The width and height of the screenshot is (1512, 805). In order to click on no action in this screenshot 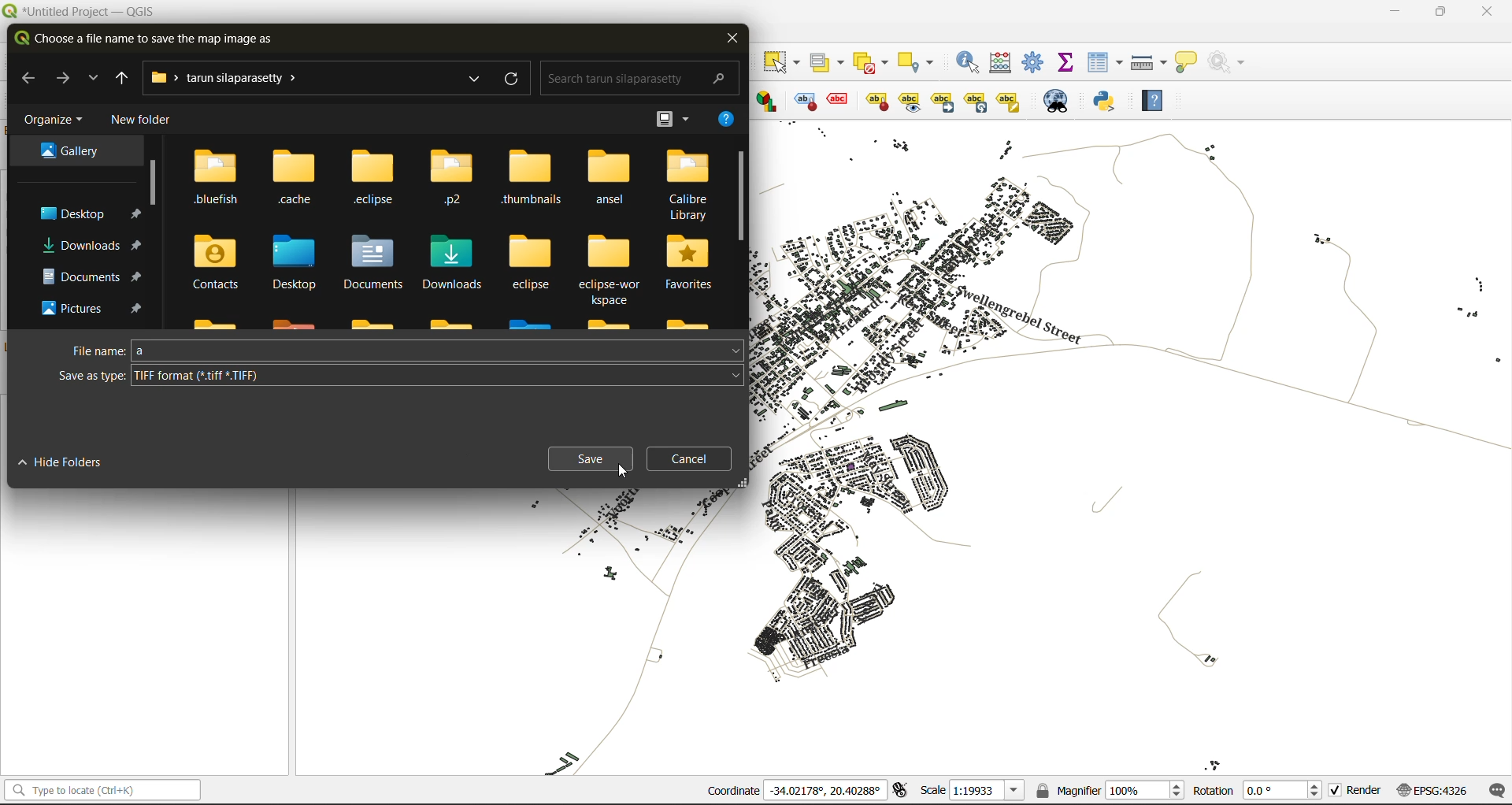, I will do `click(1230, 62)`.